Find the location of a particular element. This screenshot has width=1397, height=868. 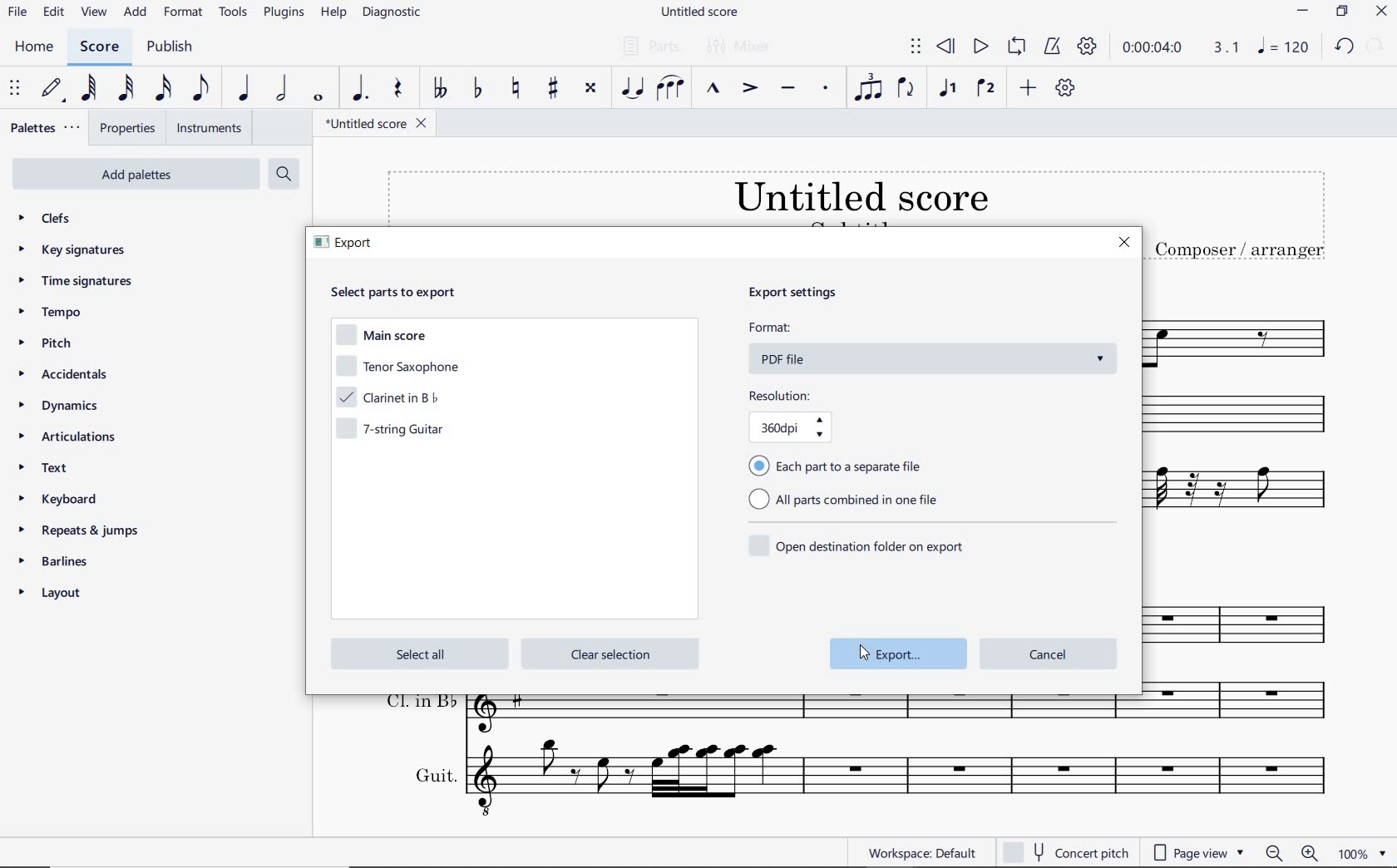

Cl. in B is located at coordinates (1246, 705).